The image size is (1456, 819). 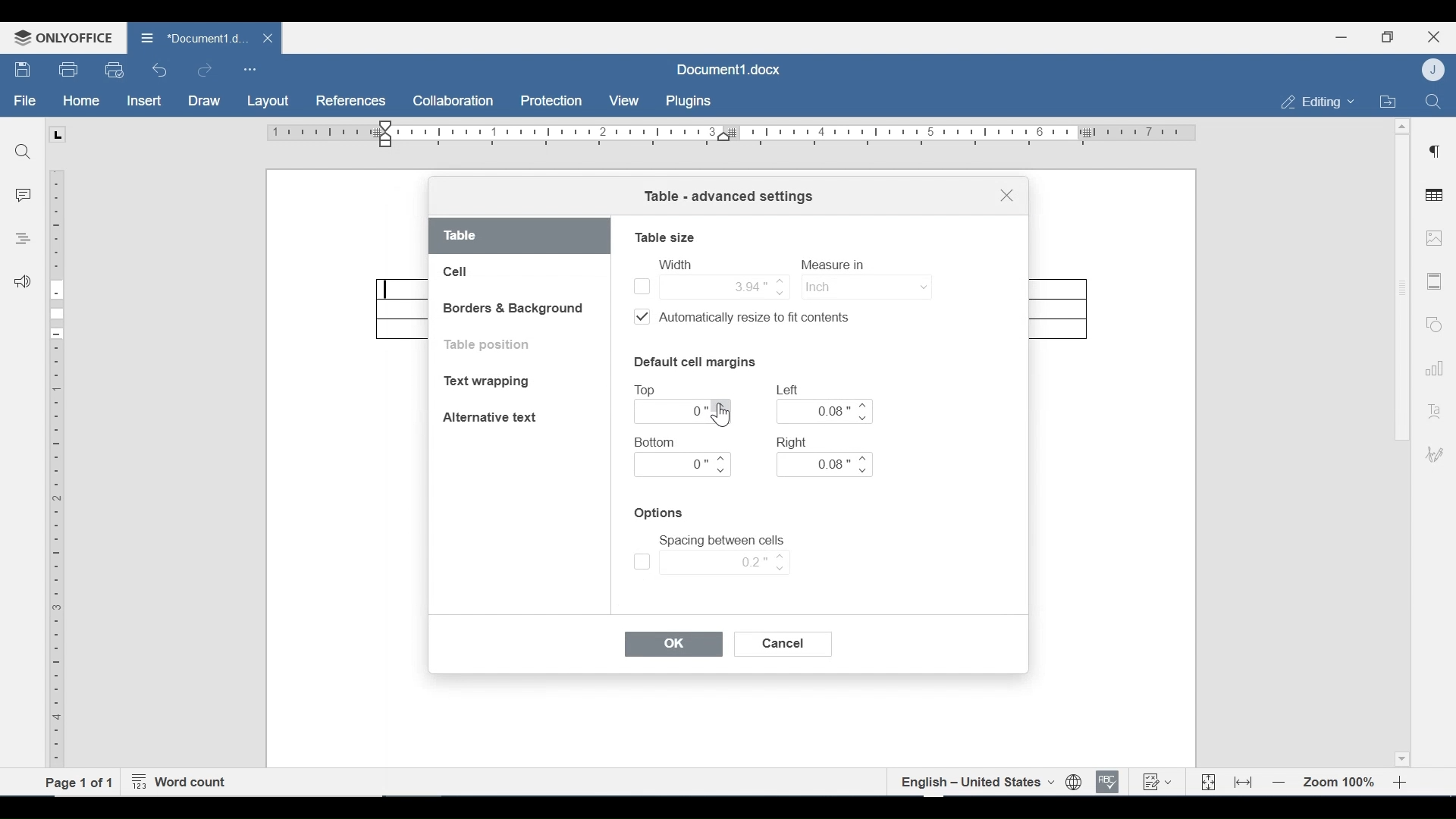 What do you see at coordinates (143, 101) in the screenshot?
I see `Insert` at bounding box center [143, 101].